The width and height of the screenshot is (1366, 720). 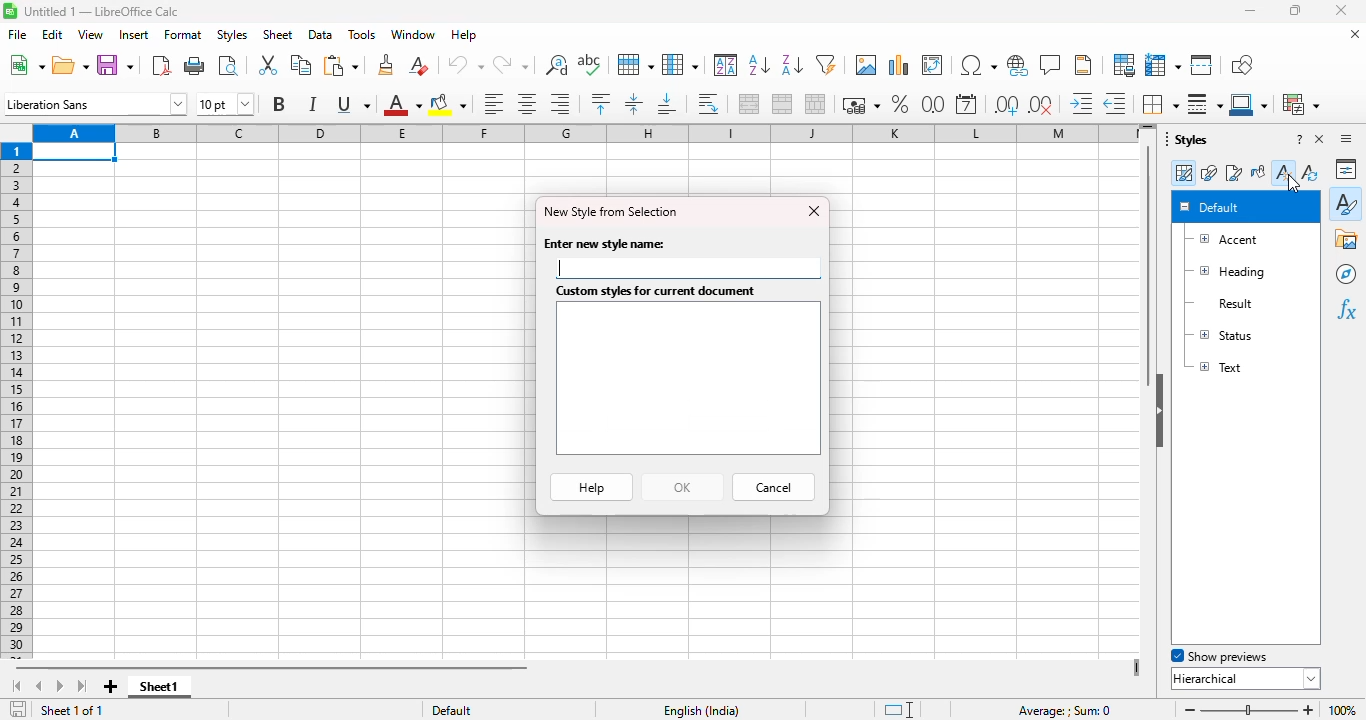 What do you see at coordinates (1258, 172) in the screenshot?
I see `fill format mode` at bounding box center [1258, 172].